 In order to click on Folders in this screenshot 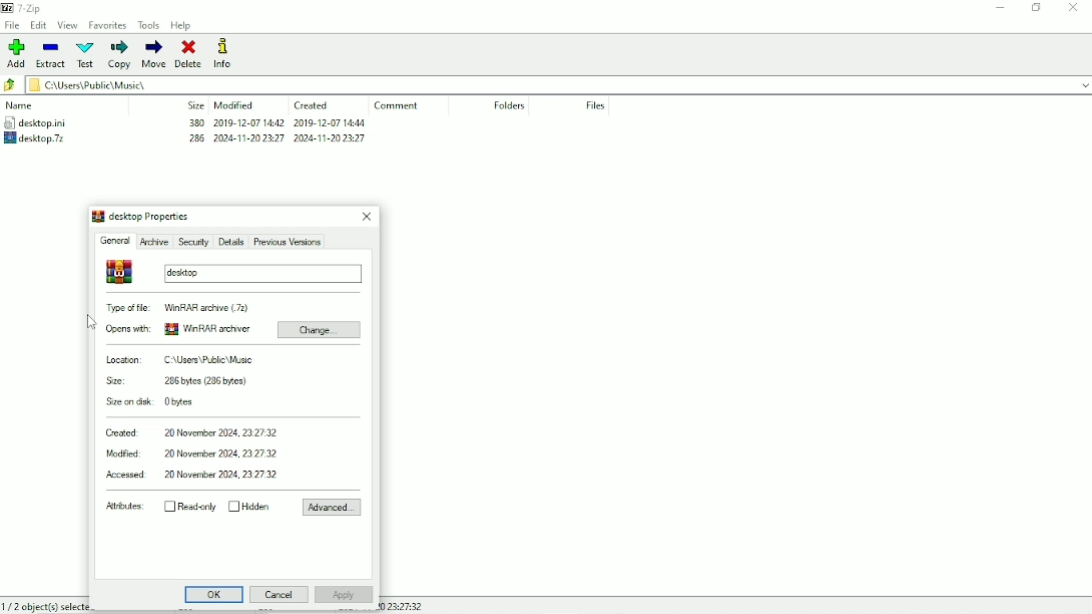, I will do `click(511, 105)`.